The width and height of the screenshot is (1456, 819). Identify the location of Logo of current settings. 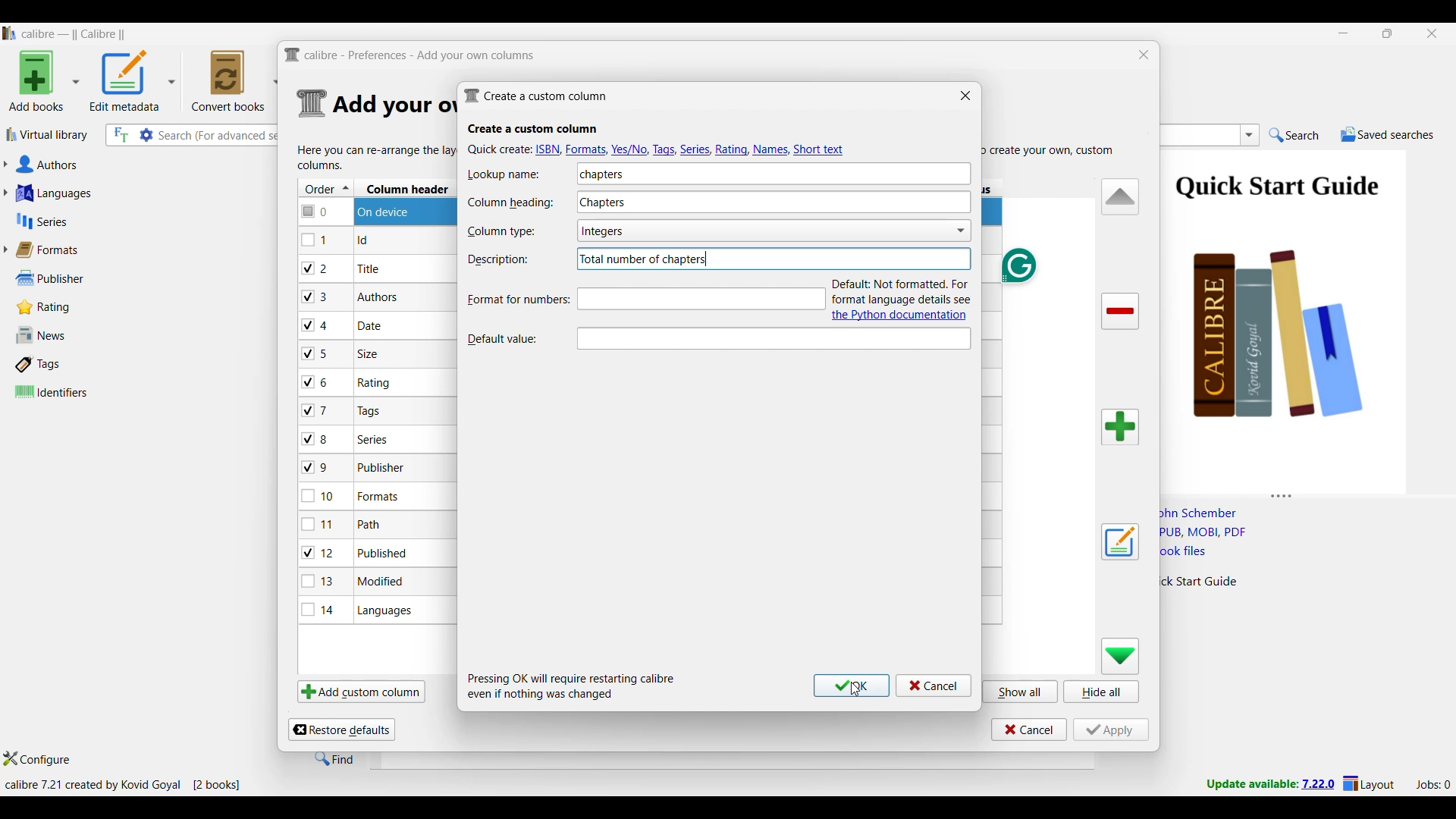
(312, 104).